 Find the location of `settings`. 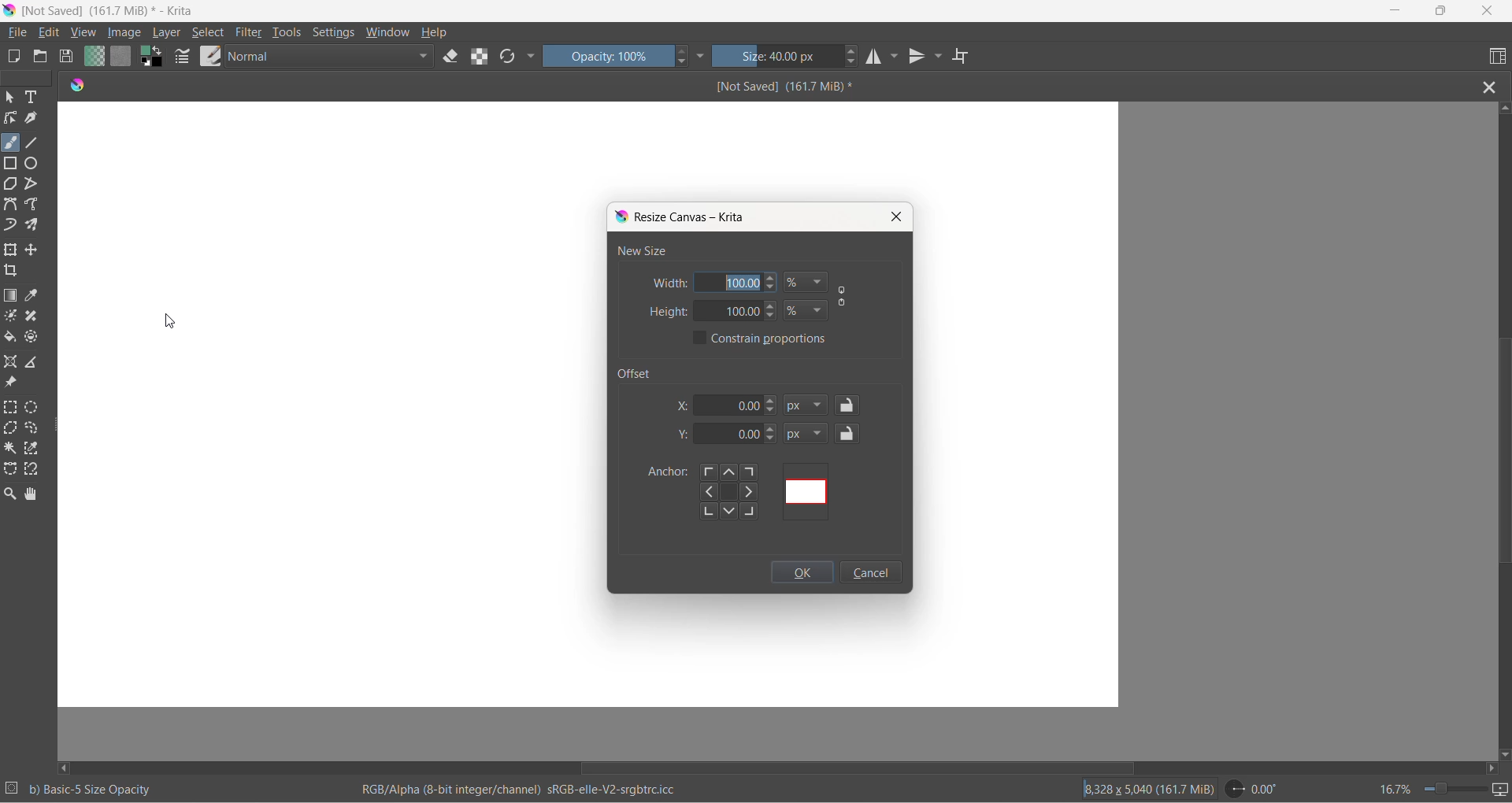

settings is located at coordinates (337, 34).